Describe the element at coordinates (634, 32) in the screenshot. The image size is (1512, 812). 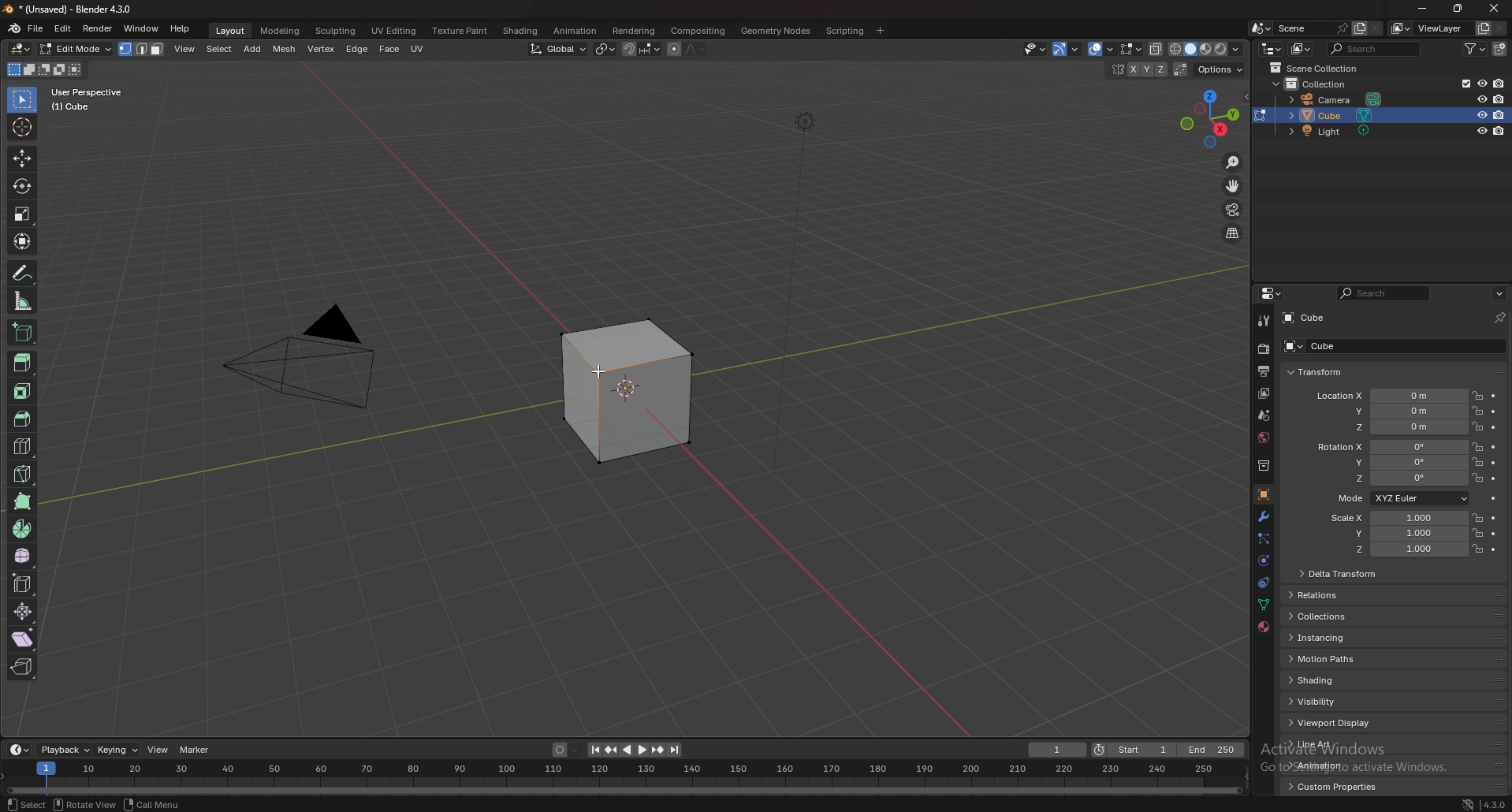
I see `rendering` at that location.